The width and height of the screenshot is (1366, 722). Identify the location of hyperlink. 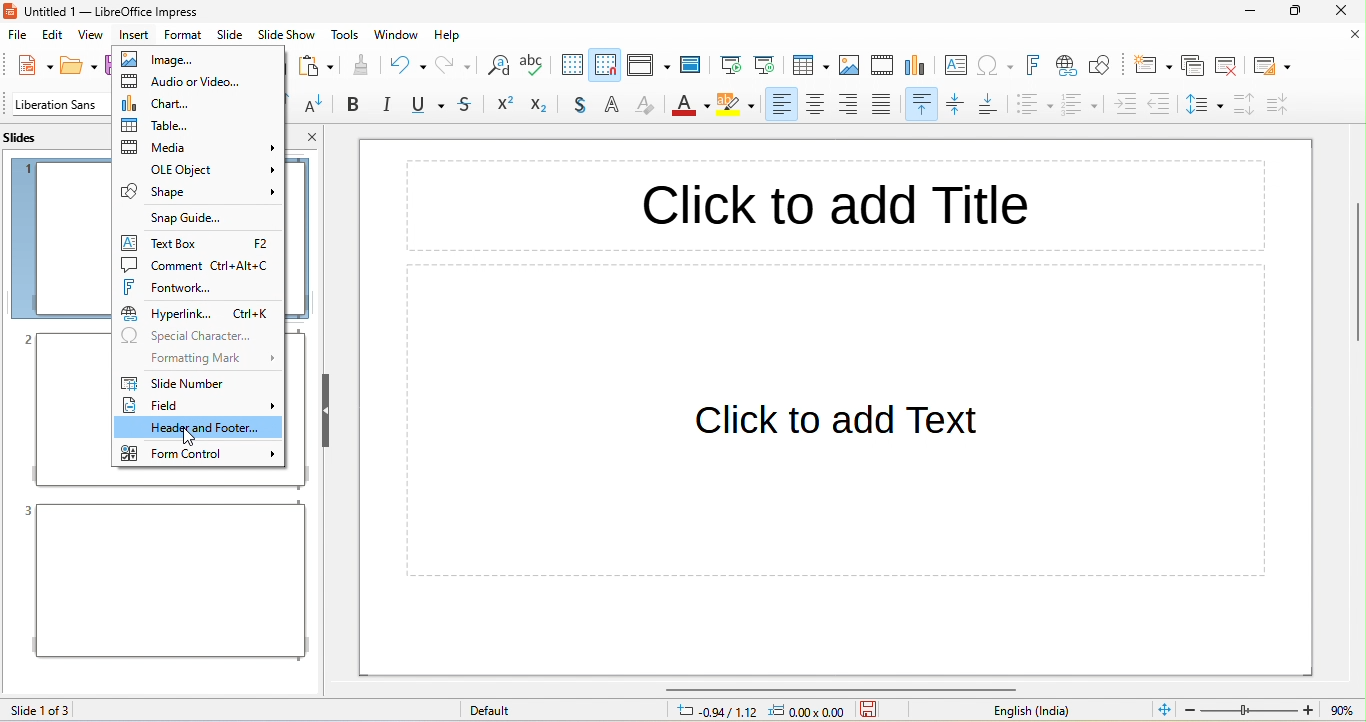
(1068, 68).